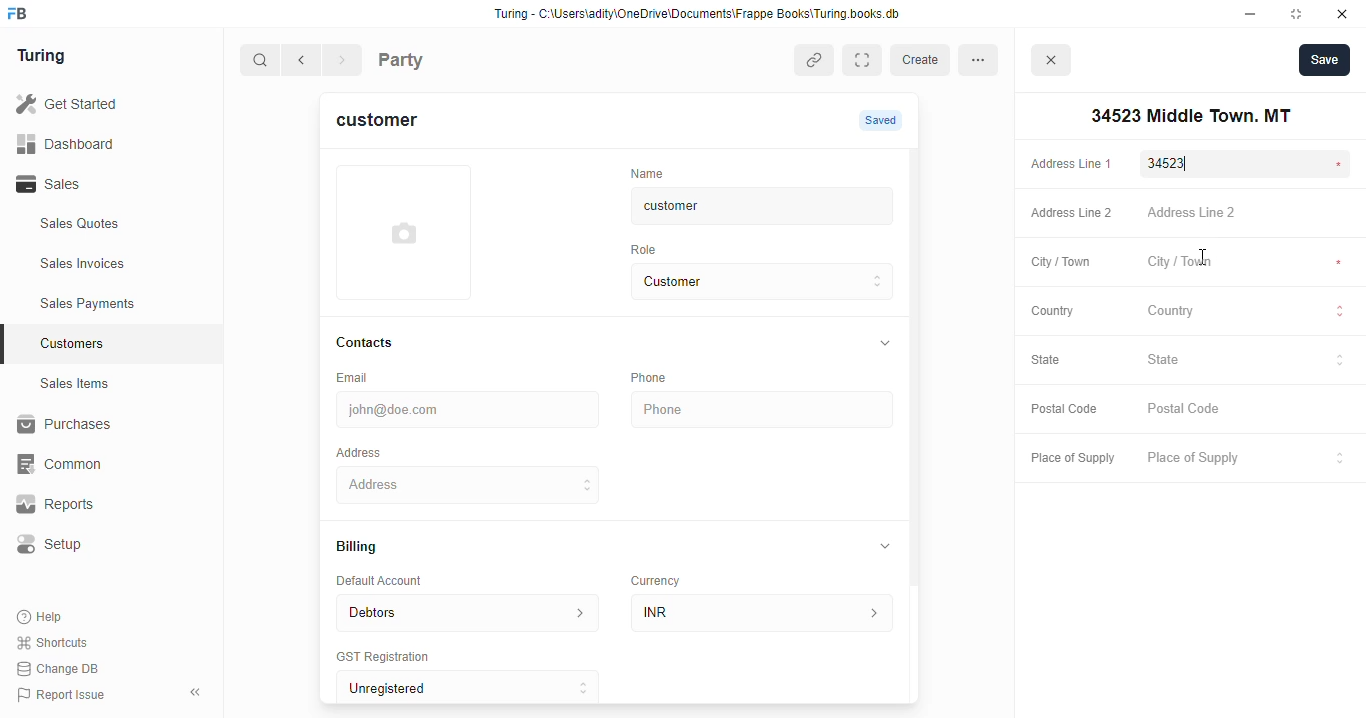 The image size is (1366, 718). What do you see at coordinates (395, 580) in the screenshot?
I see `Default Account` at bounding box center [395, 580].